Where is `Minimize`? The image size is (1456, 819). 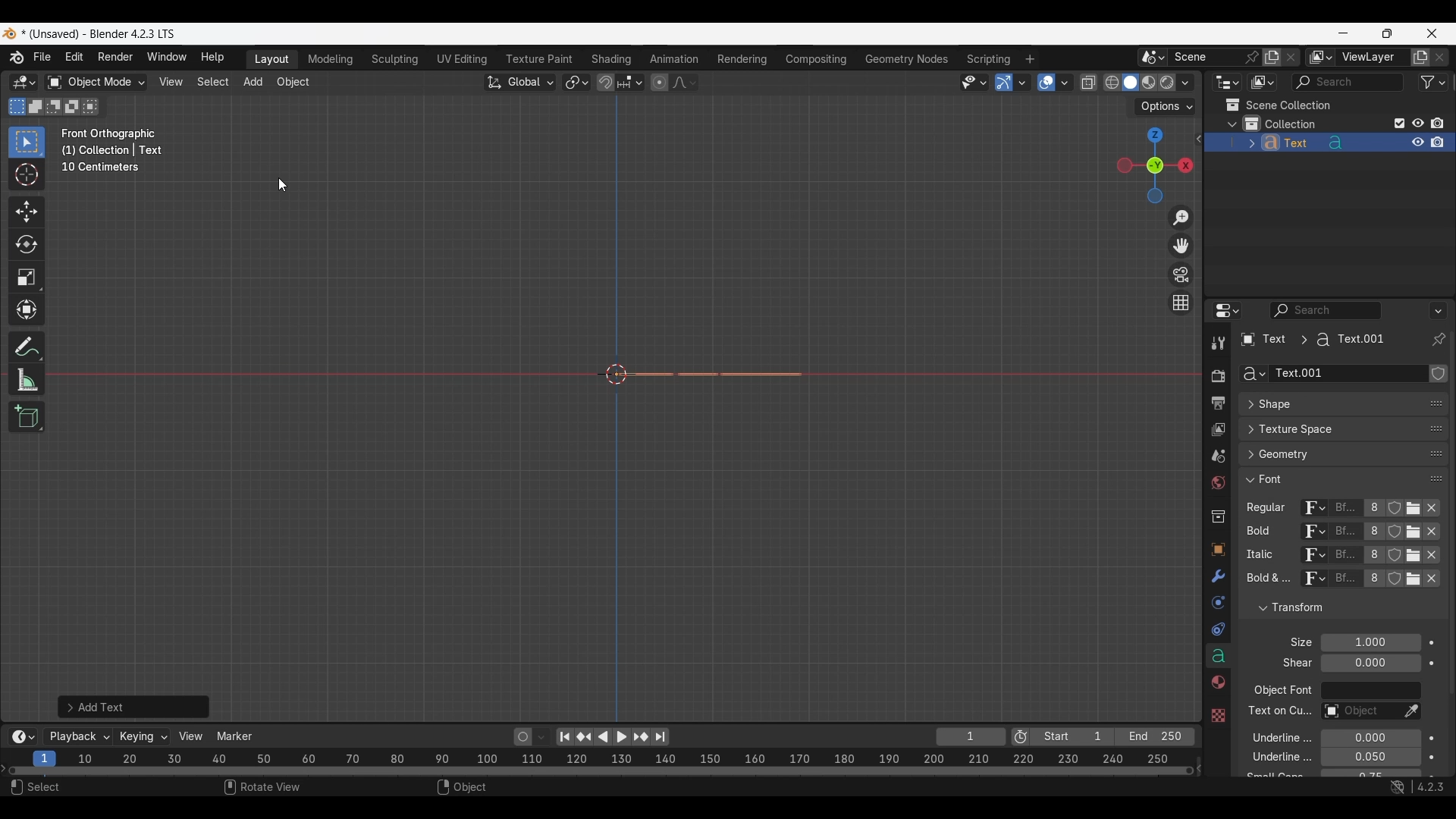 Minimize is located at coordinates (1344, 33).